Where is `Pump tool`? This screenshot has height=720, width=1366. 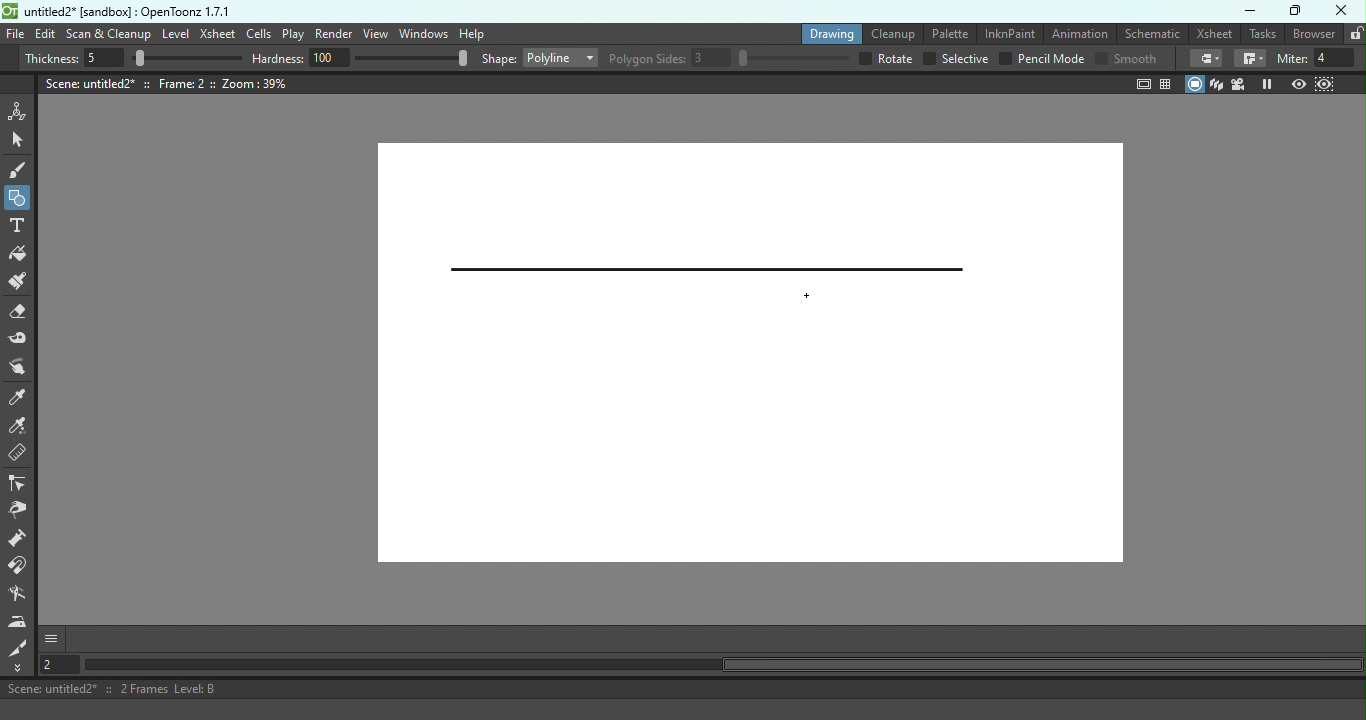
Pump tool is located at coordinates (19, 540).